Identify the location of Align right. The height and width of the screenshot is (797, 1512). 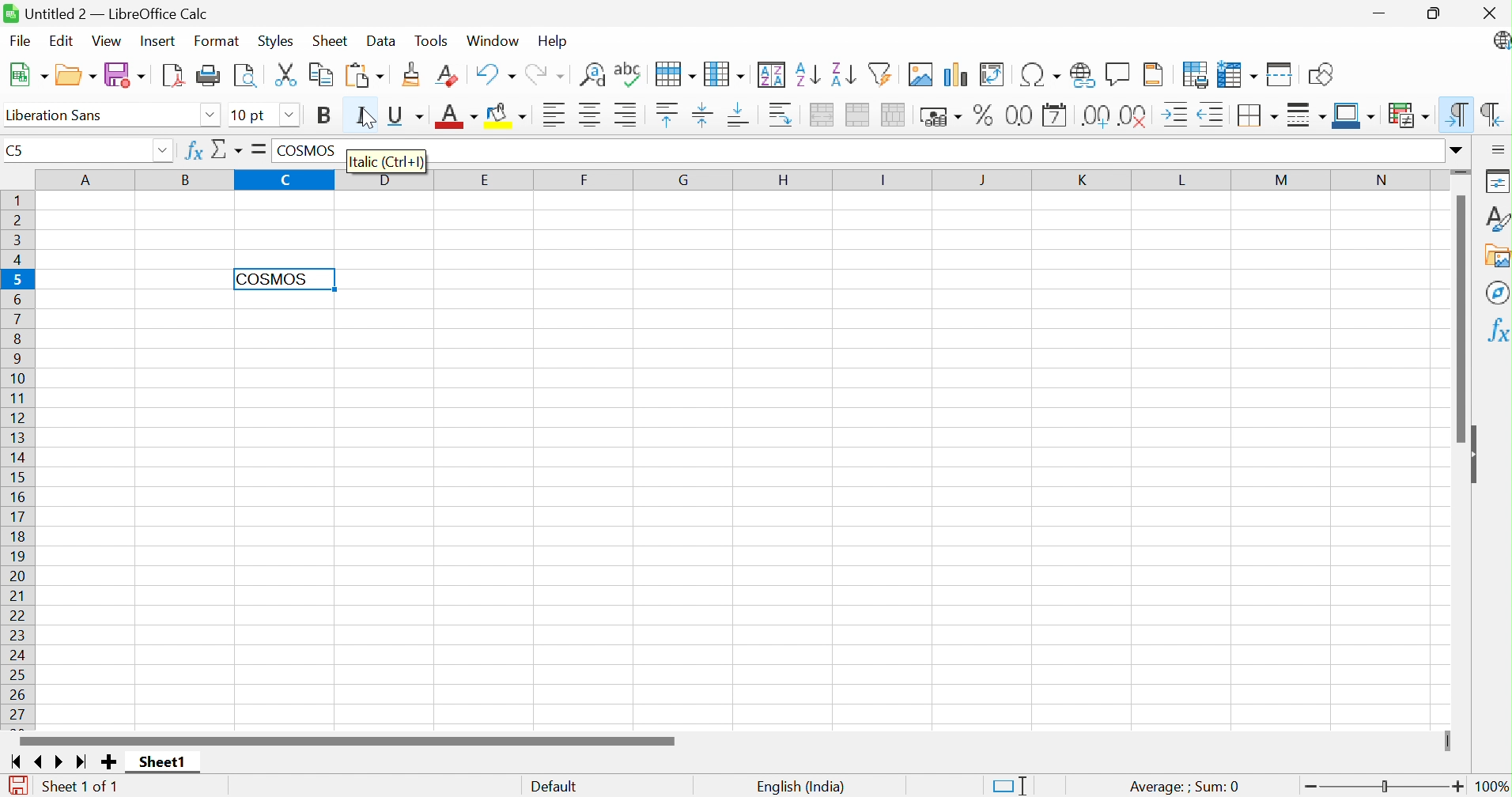
(625, 113).